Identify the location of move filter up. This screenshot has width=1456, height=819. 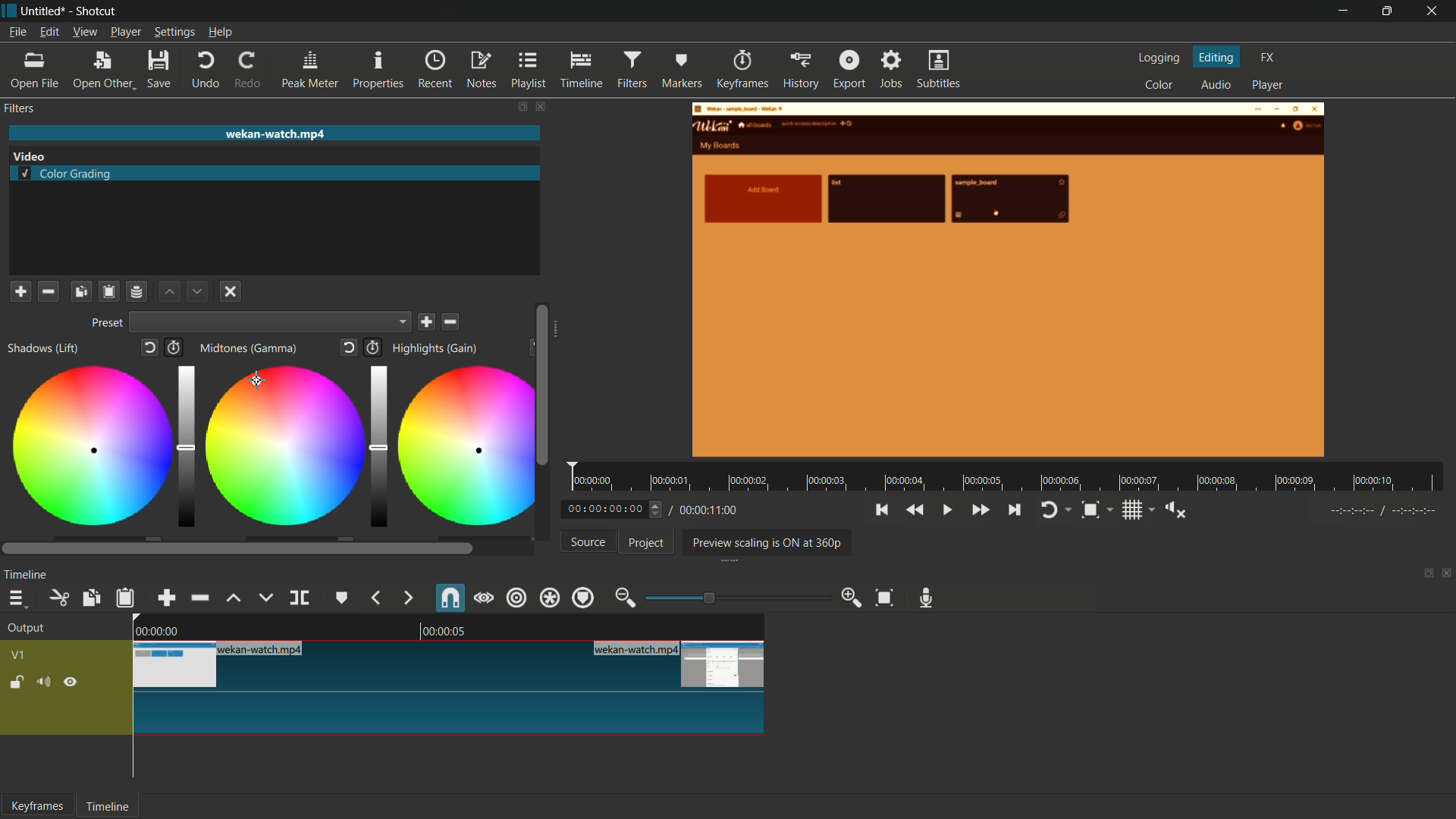
(168, 292).